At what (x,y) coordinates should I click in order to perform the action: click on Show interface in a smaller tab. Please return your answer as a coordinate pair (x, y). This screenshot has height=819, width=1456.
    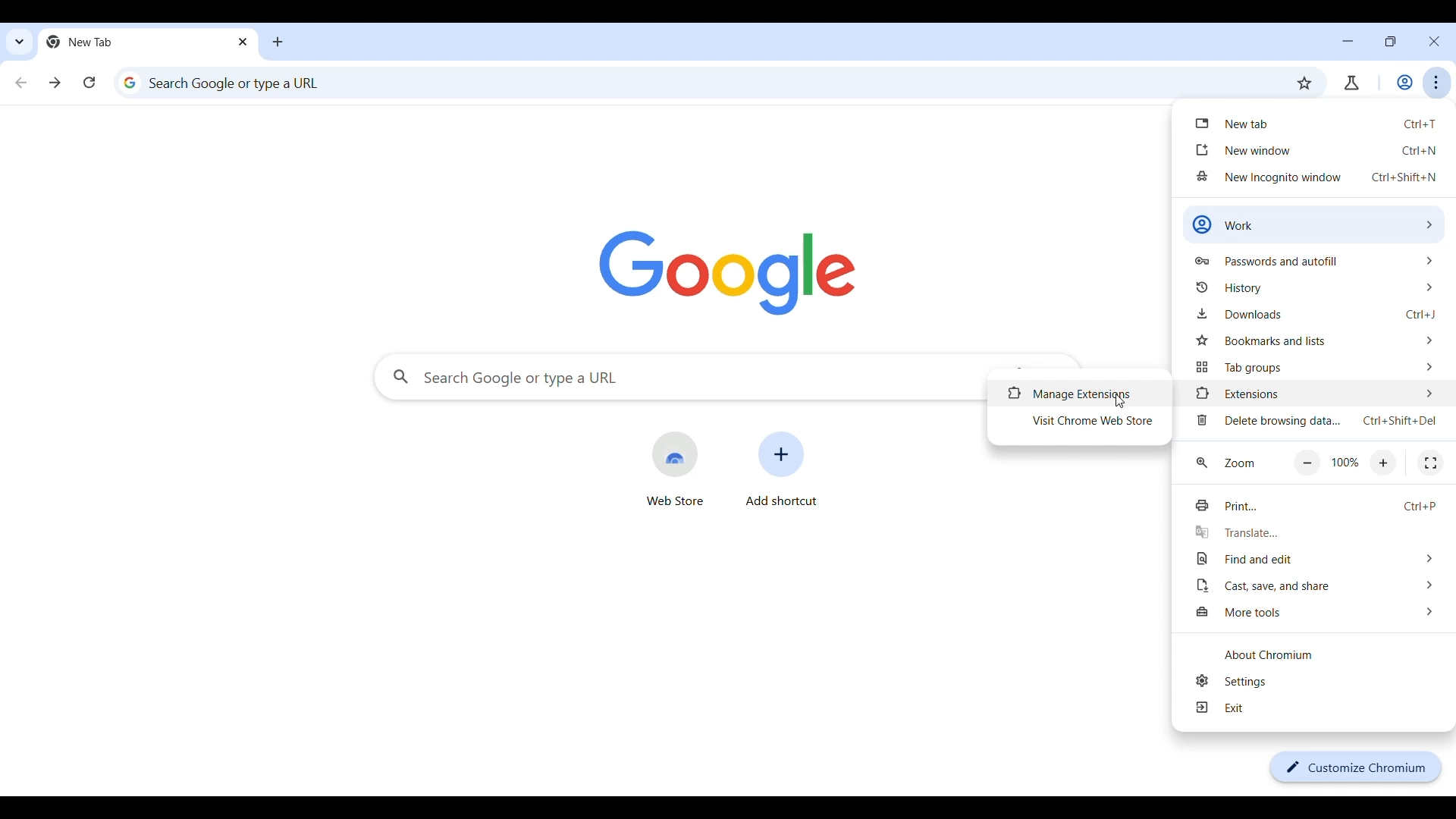
    Looking at the image, I should click on (1390, 41).